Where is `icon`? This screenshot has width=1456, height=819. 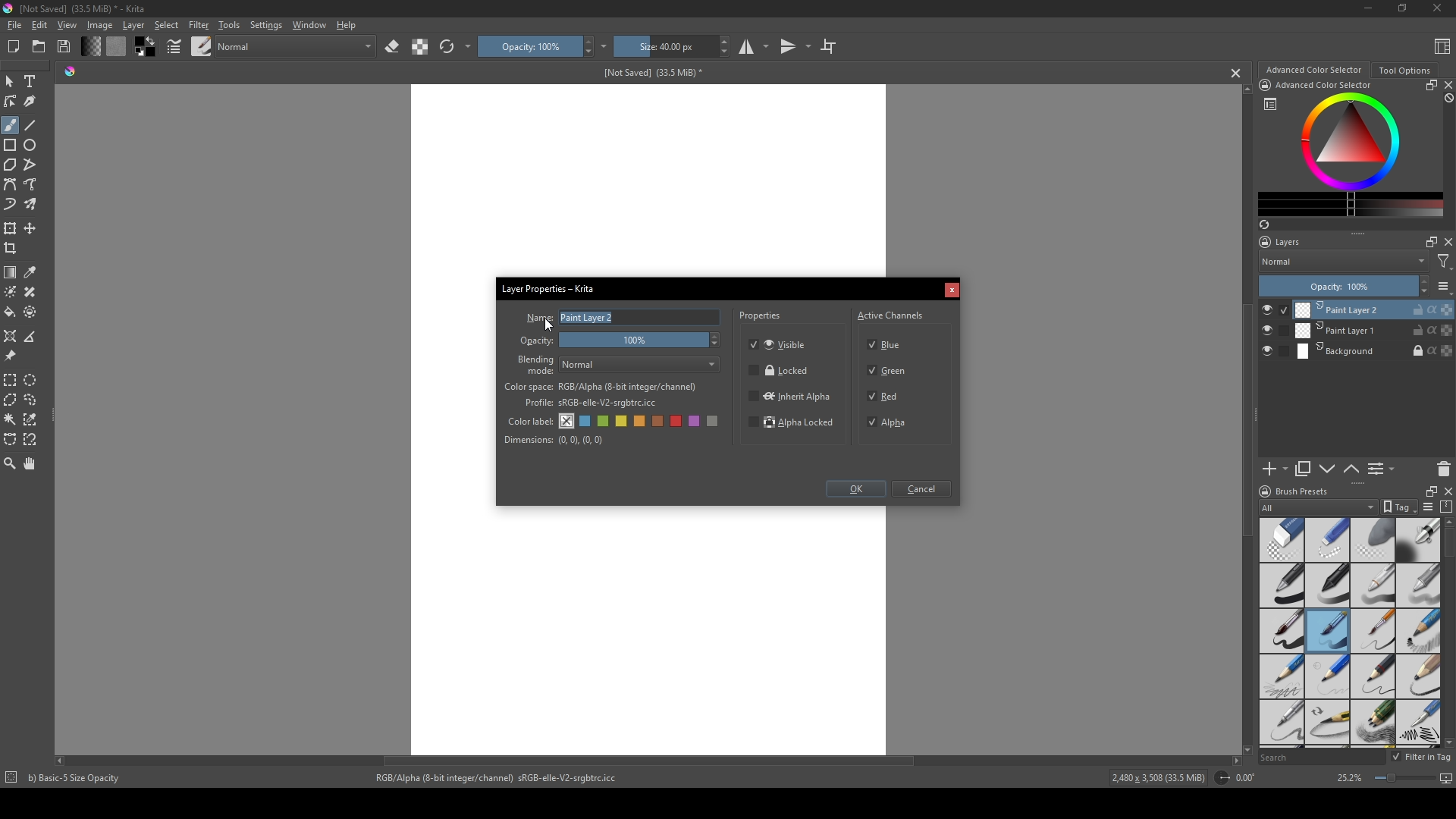 icon is located at coordinates (10, 779).